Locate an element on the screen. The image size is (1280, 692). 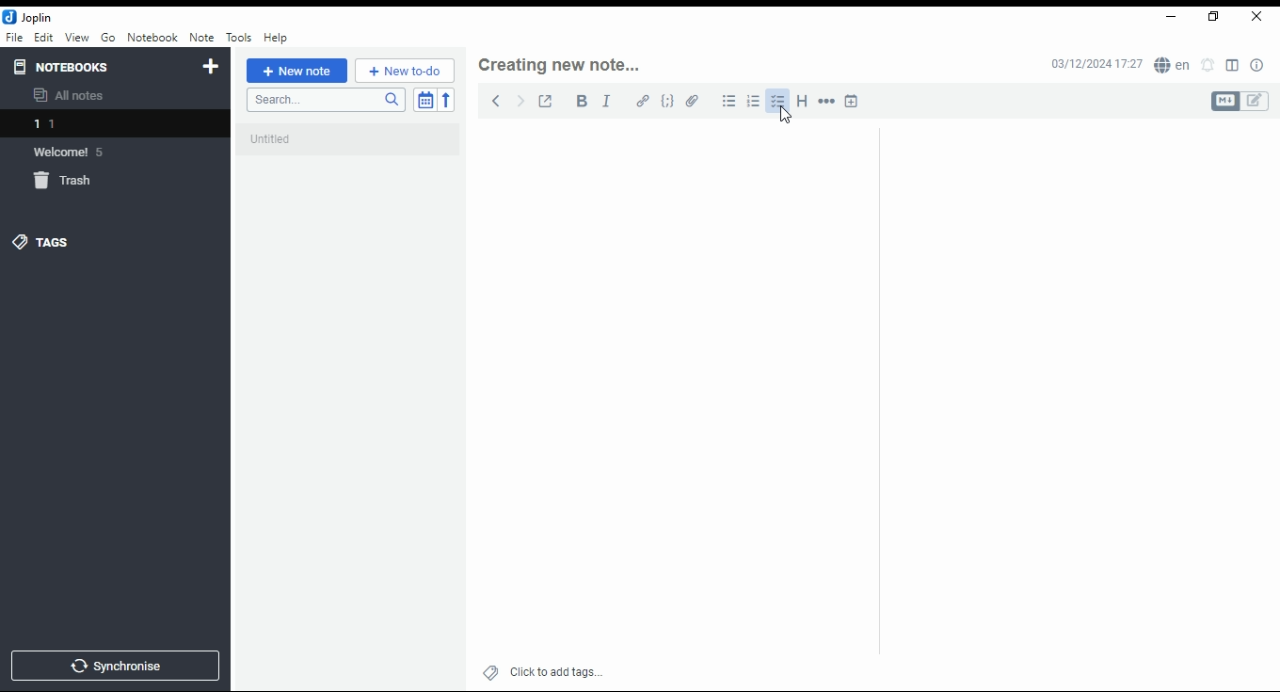
help is located at coordinates (276, 38).